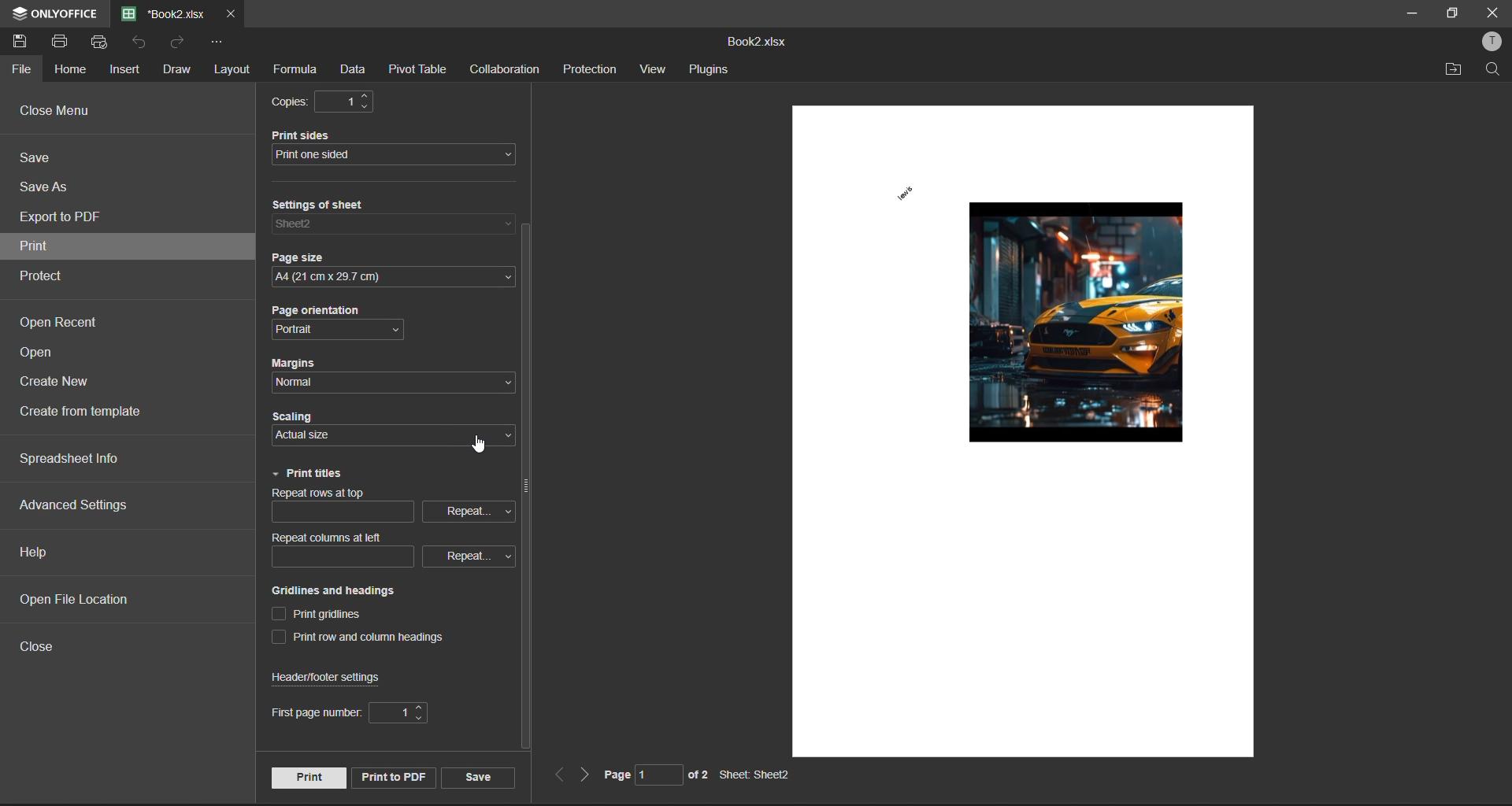 The height and width of the screenshot is (806, 1512). What do you see at coordinates (309, 475) in the screenshot?
I see `print titles` at bounding box center [309, 475].